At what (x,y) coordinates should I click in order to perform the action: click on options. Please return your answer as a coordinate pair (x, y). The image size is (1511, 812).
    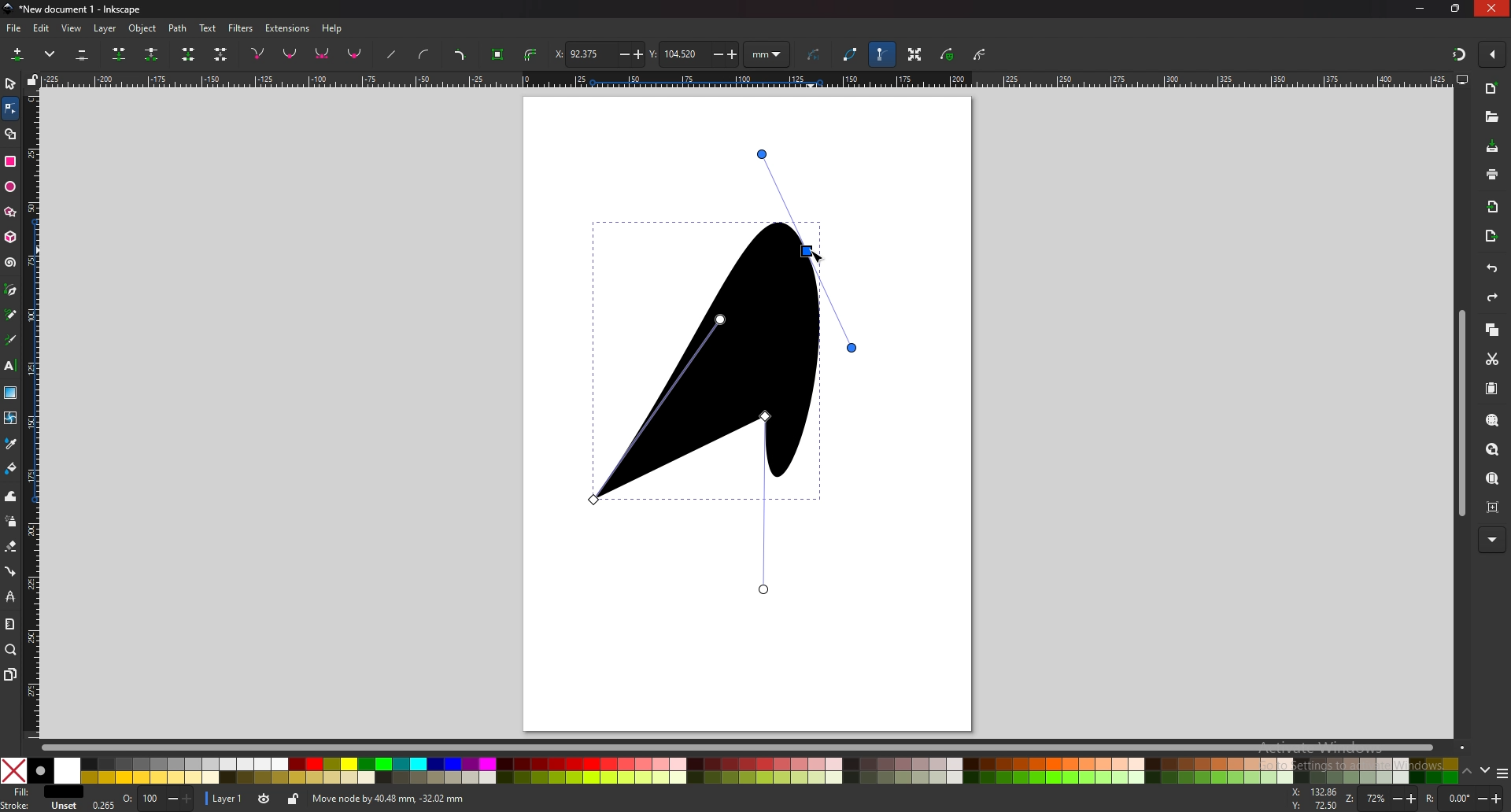
    Looking at the image, I should click on (1502, 773).